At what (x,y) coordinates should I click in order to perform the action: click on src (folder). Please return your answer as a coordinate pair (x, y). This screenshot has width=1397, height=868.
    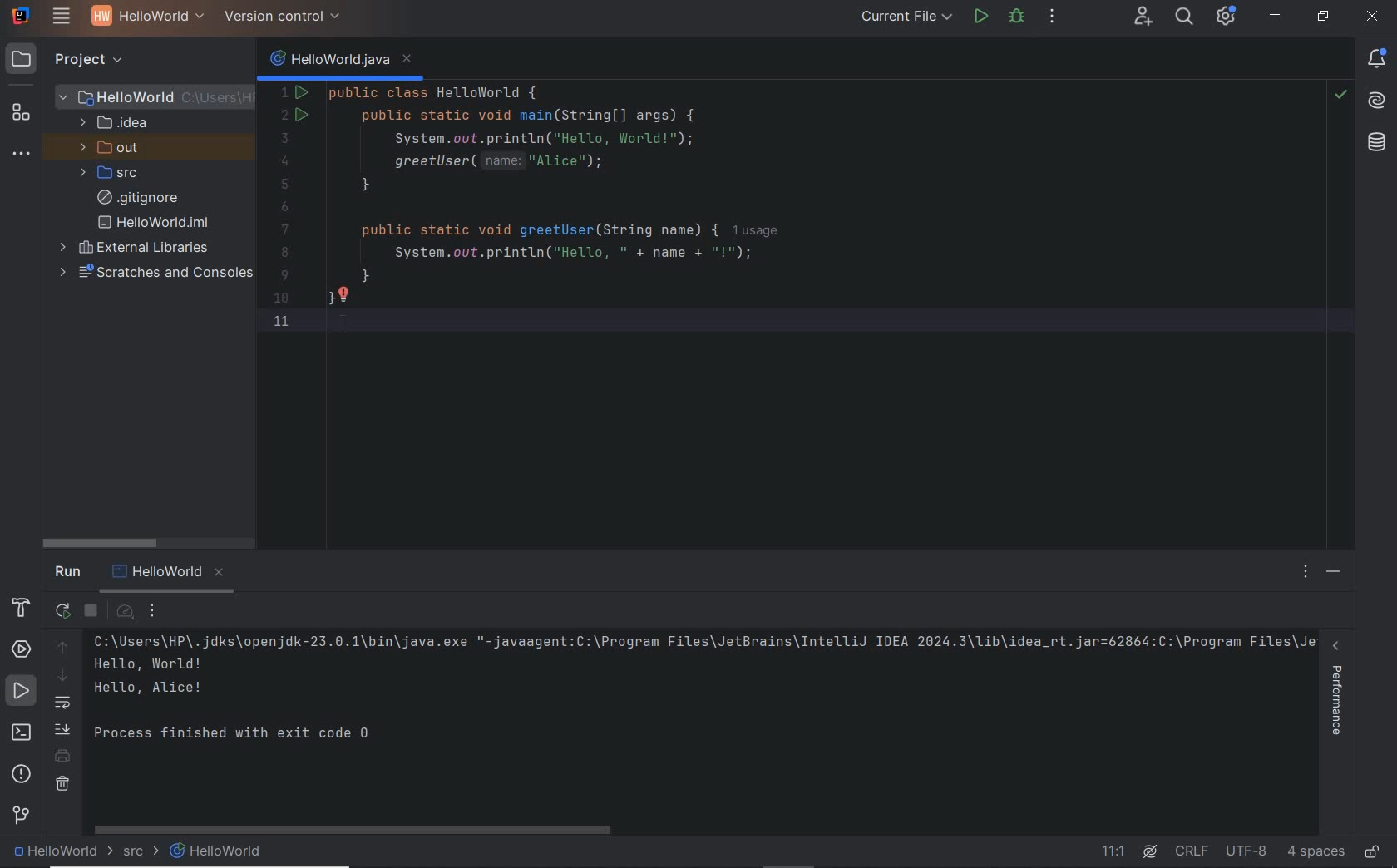
    Looking at the image, I should click on (111, 173).